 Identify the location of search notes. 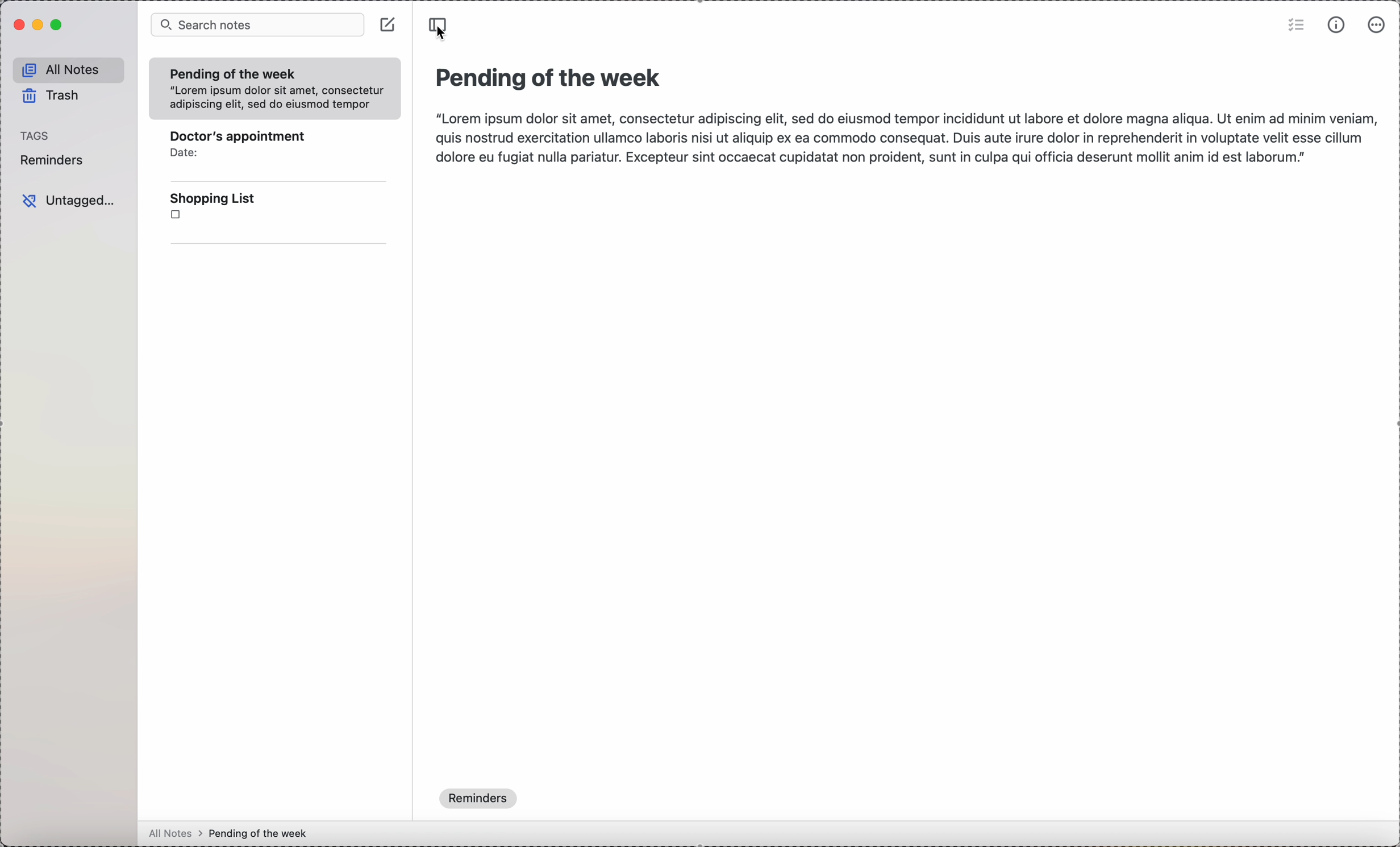
(257, 24).